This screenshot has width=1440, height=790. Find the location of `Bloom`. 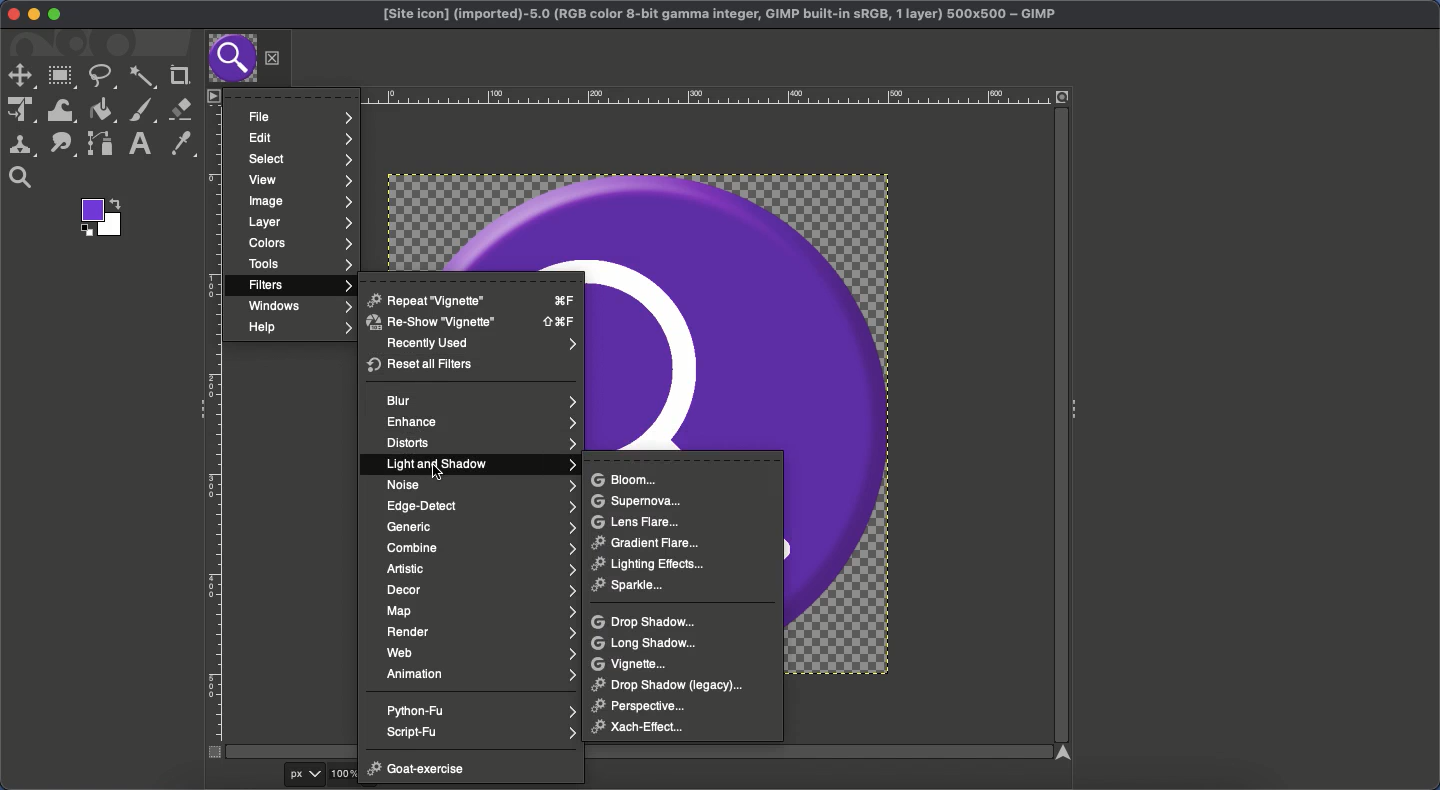

Bloom is located at coordinates (624, 479).